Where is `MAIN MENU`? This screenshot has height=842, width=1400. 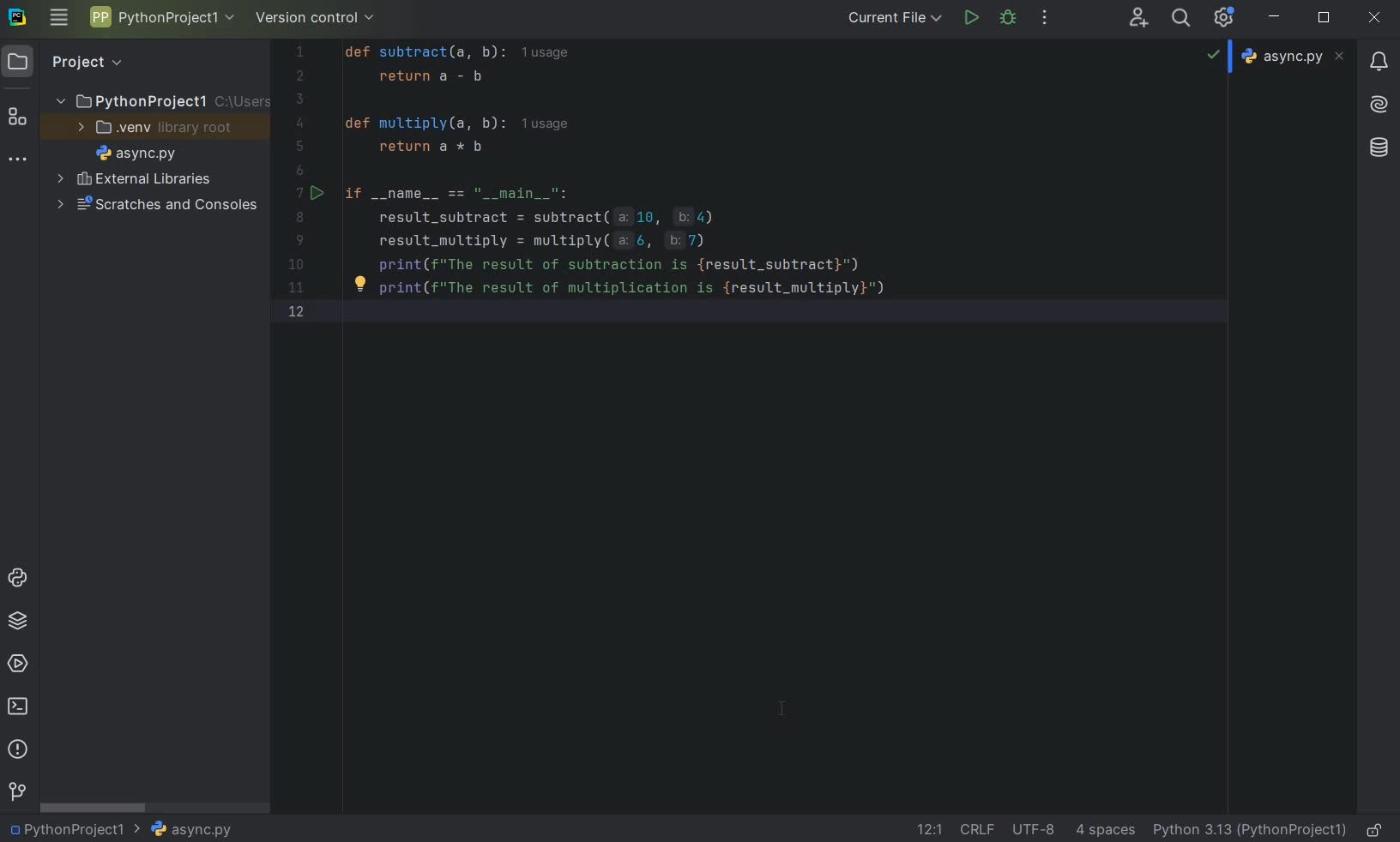 MAIN MENU is located at coordinates (57, 19).